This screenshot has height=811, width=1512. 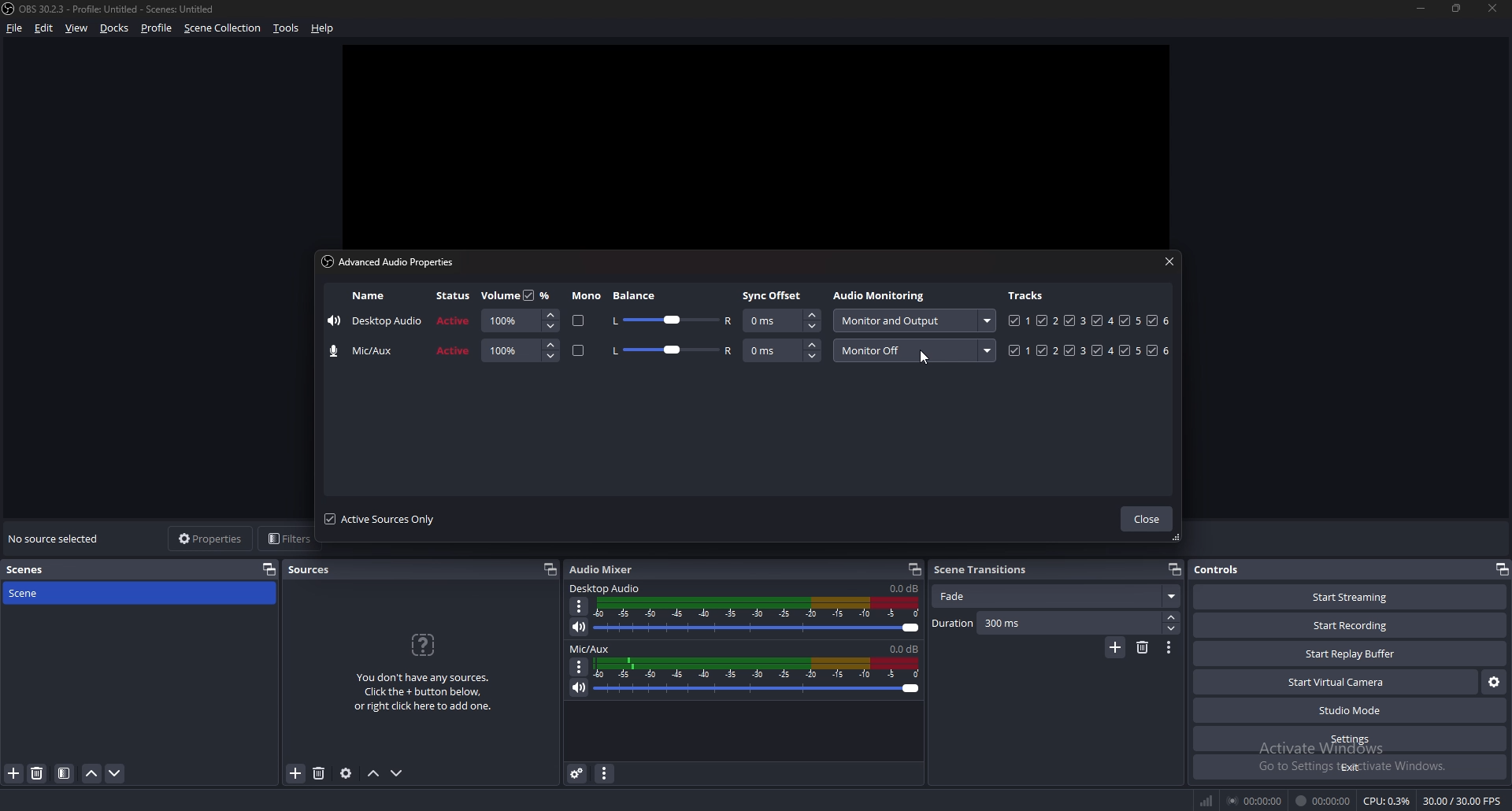 What do you see at coordinates (916, 320) in the screenshot?
I see `monitor and output` at bounding box center [916, 320].